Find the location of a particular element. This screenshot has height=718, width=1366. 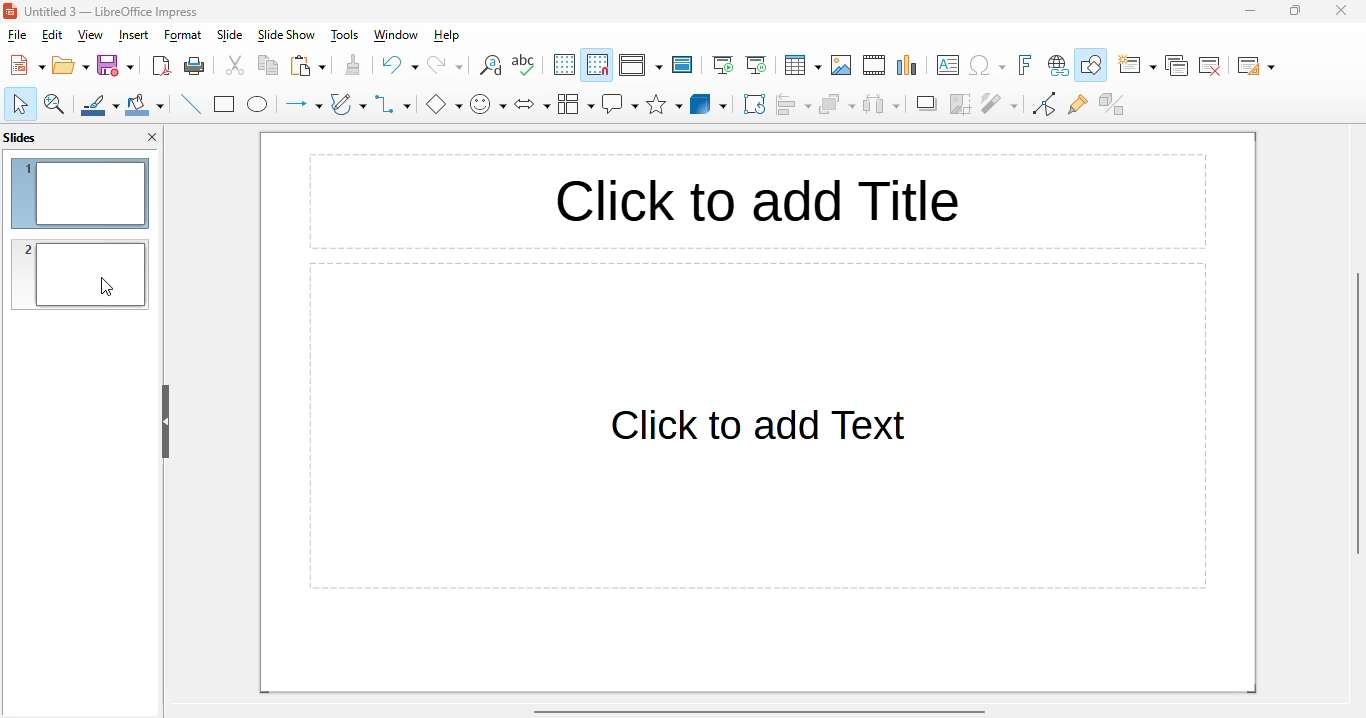

save is located at coordinates (115, 65).